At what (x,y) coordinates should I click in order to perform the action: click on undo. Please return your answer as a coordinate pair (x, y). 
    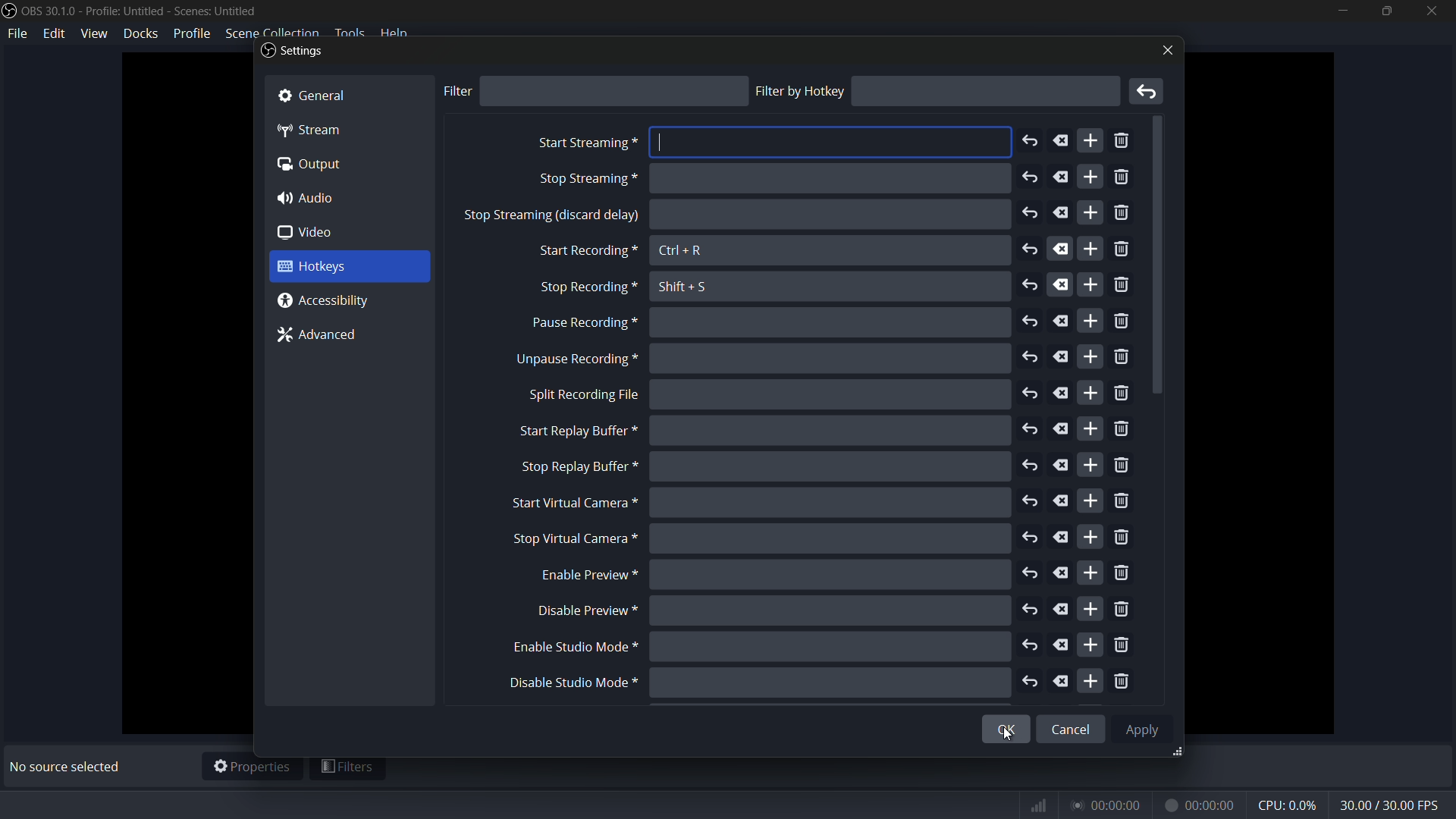
    Looking at the image, I should click on (1030, 607).